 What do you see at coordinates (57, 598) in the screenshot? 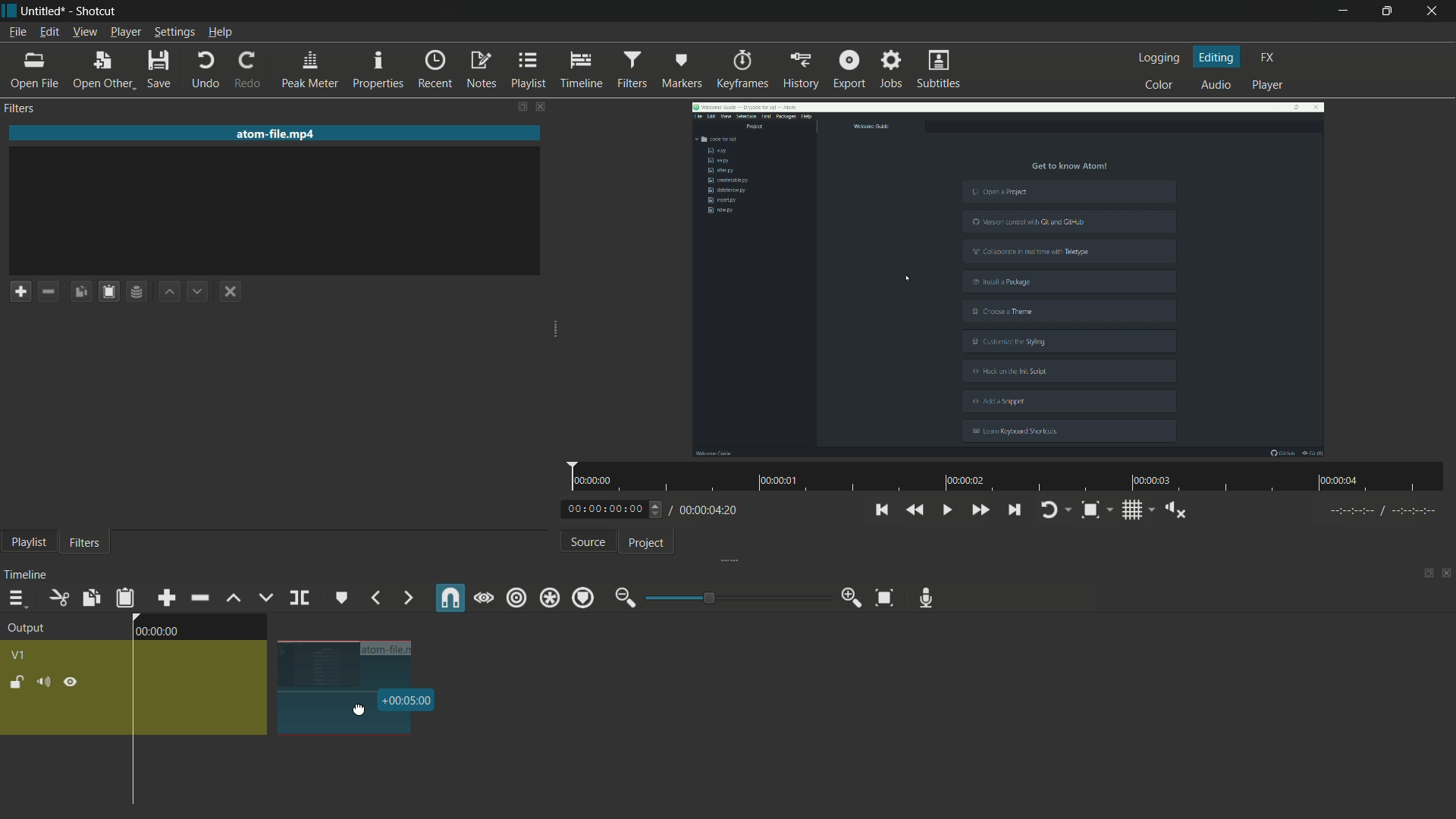
I see `cut` at bounding box center [57, 598].